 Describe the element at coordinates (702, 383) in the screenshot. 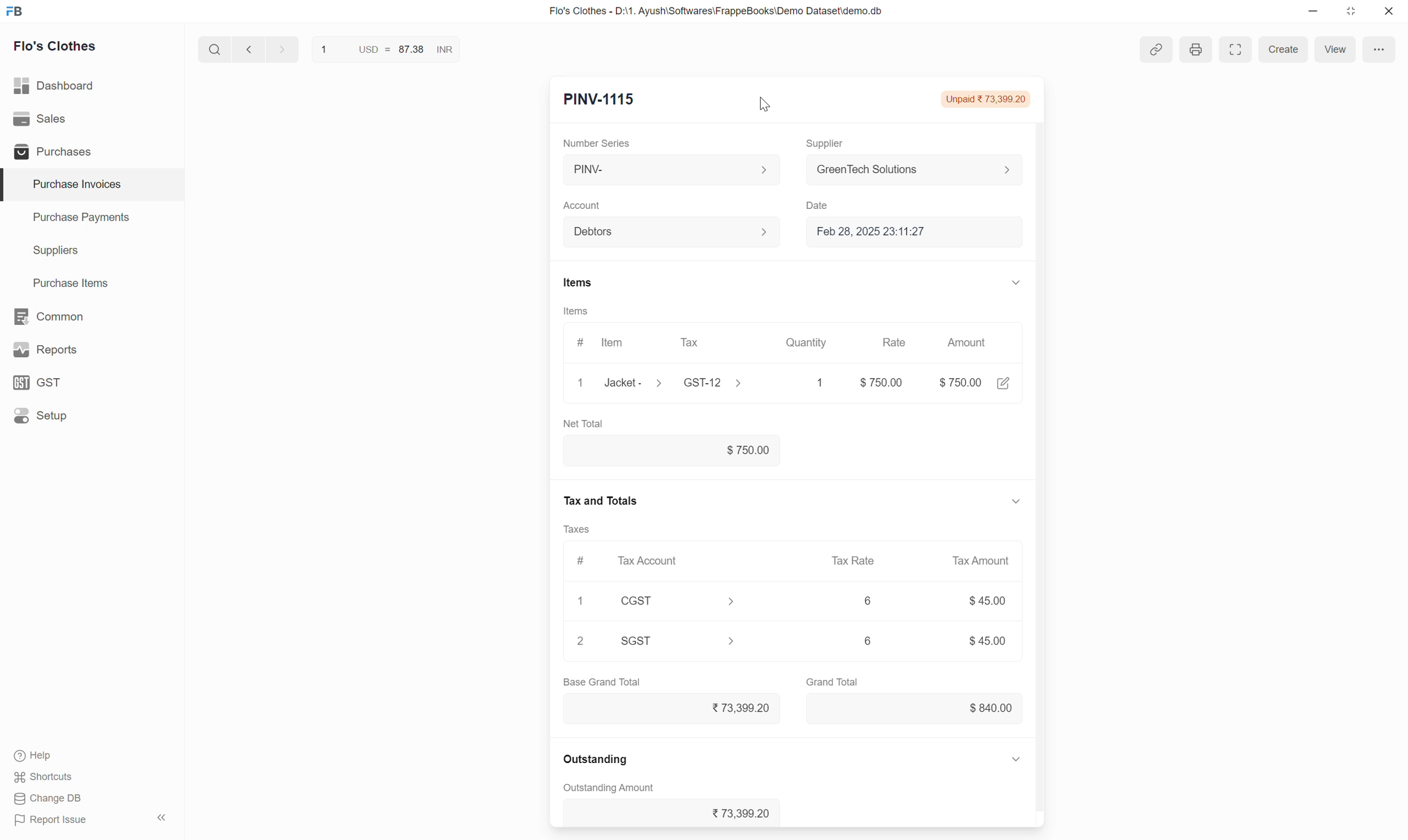

I see `GST-12` at that location.